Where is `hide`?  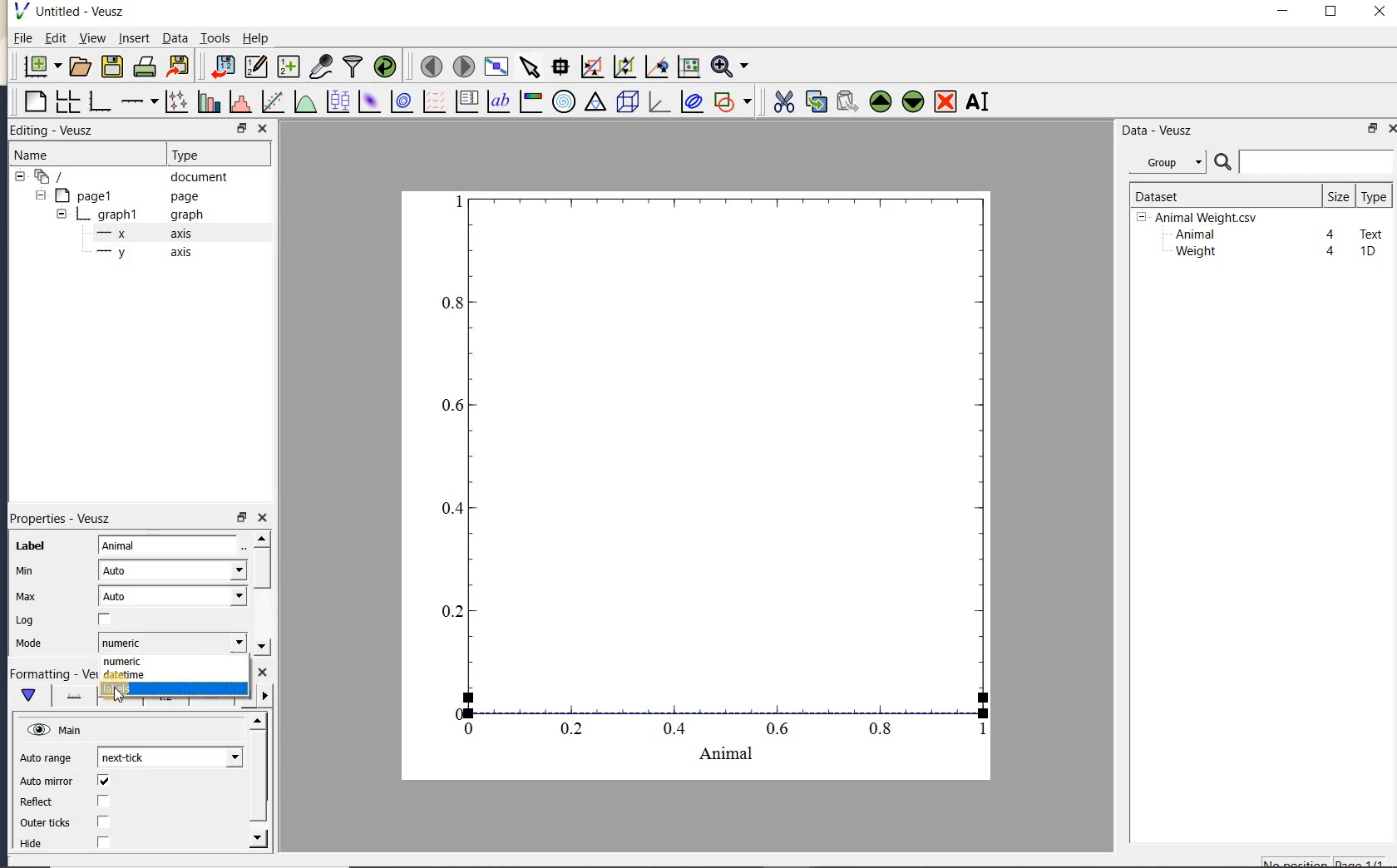 hide is located at coordinates (41, 844).